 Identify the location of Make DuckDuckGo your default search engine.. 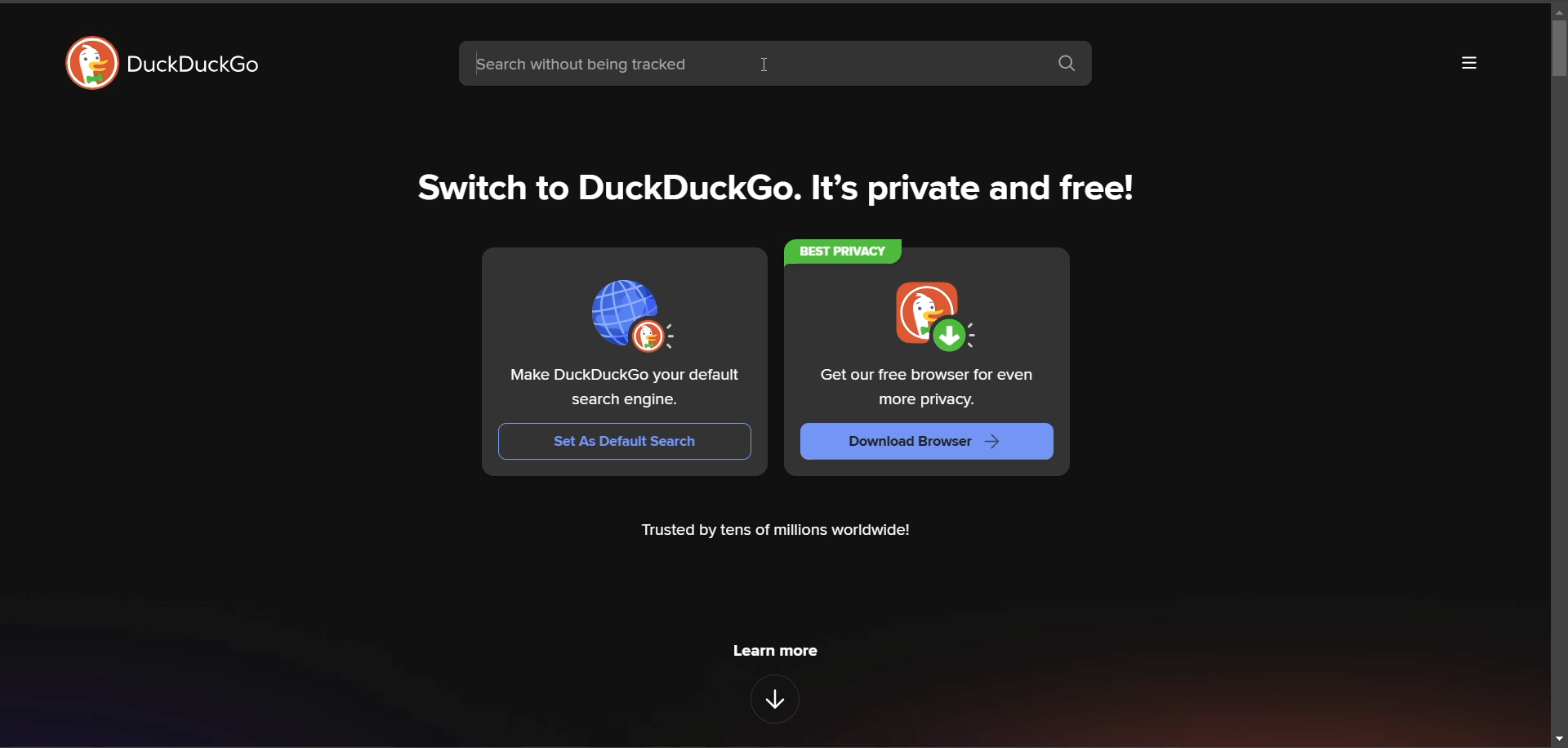
(623, 389).